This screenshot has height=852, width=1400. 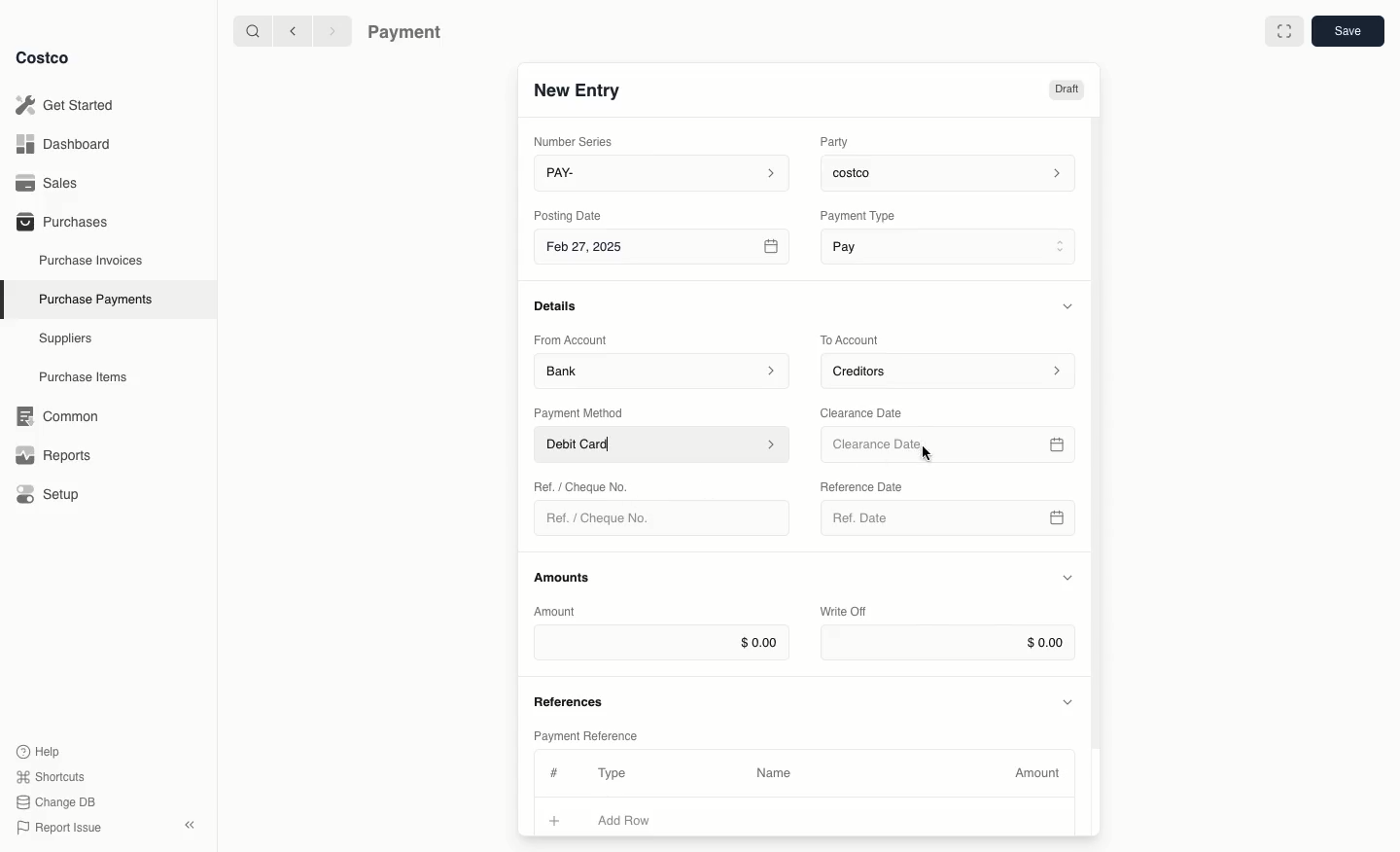 What do you see at coordinates (66, 337) in the screenshot?
I see `Suppliers` at bounding box center [66, 337].